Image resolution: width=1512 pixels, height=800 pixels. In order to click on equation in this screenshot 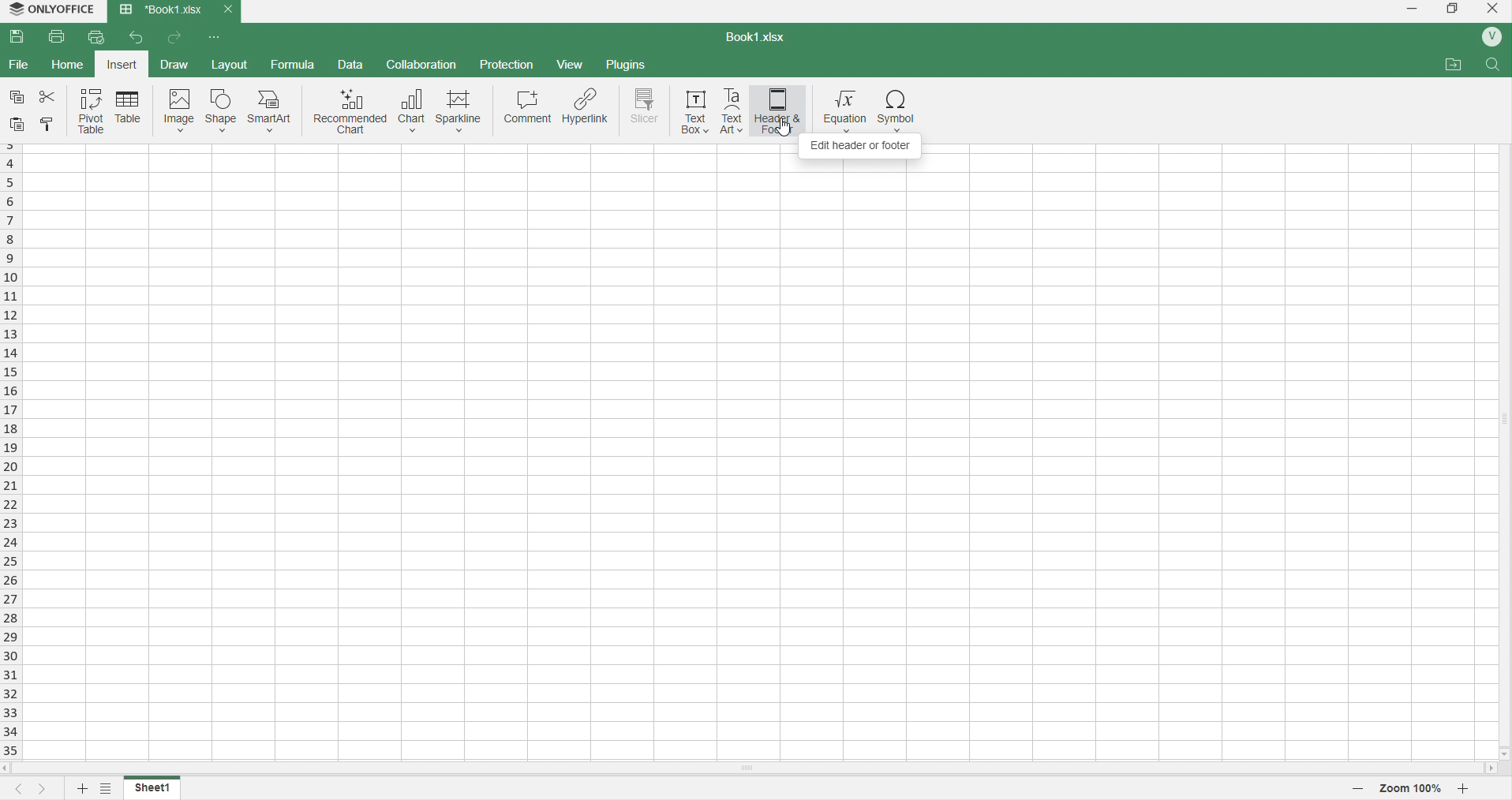, I will do `click(843, 111)`.